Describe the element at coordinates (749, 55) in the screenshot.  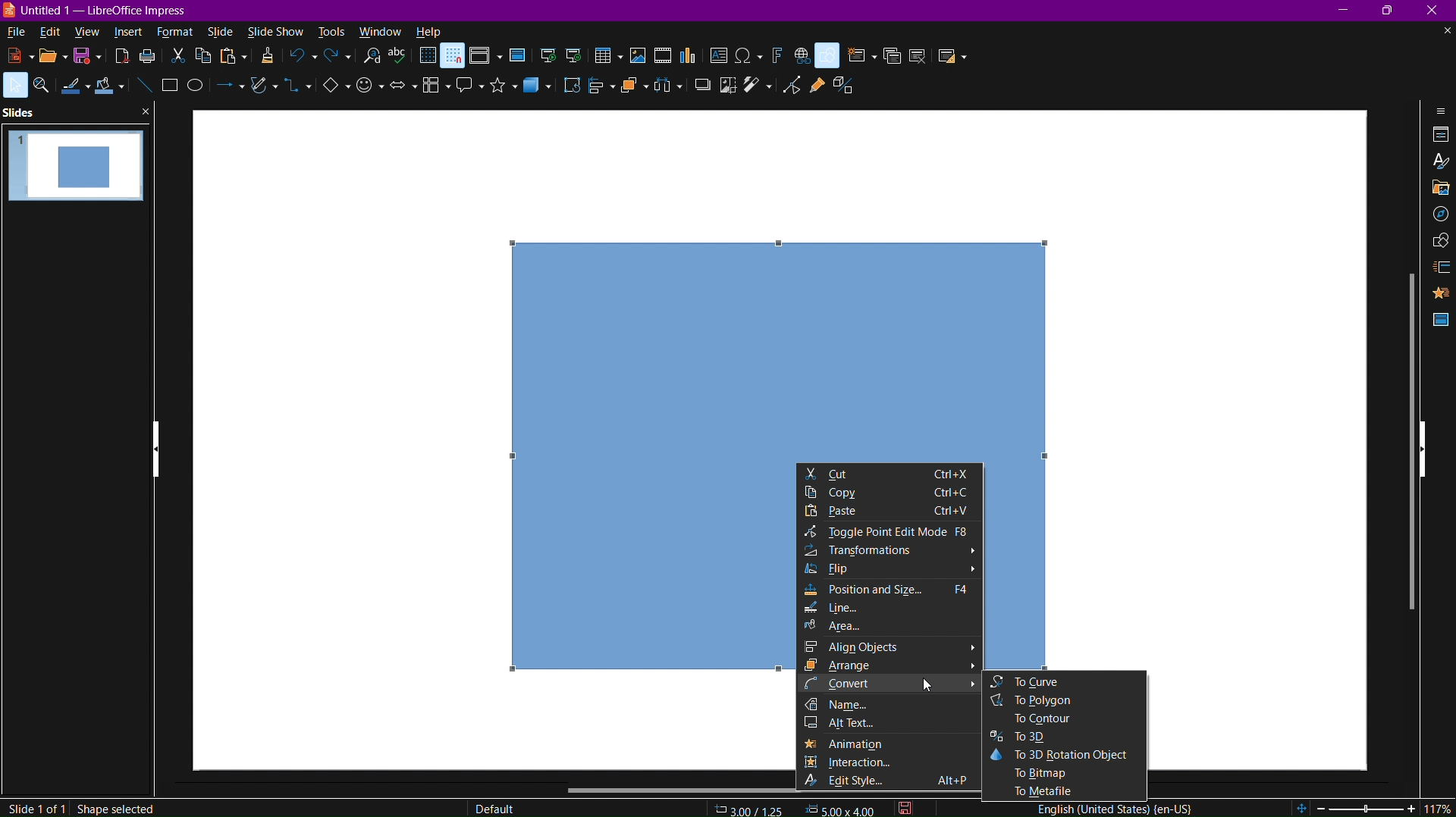
I see `Insert Special Characters` at that location.